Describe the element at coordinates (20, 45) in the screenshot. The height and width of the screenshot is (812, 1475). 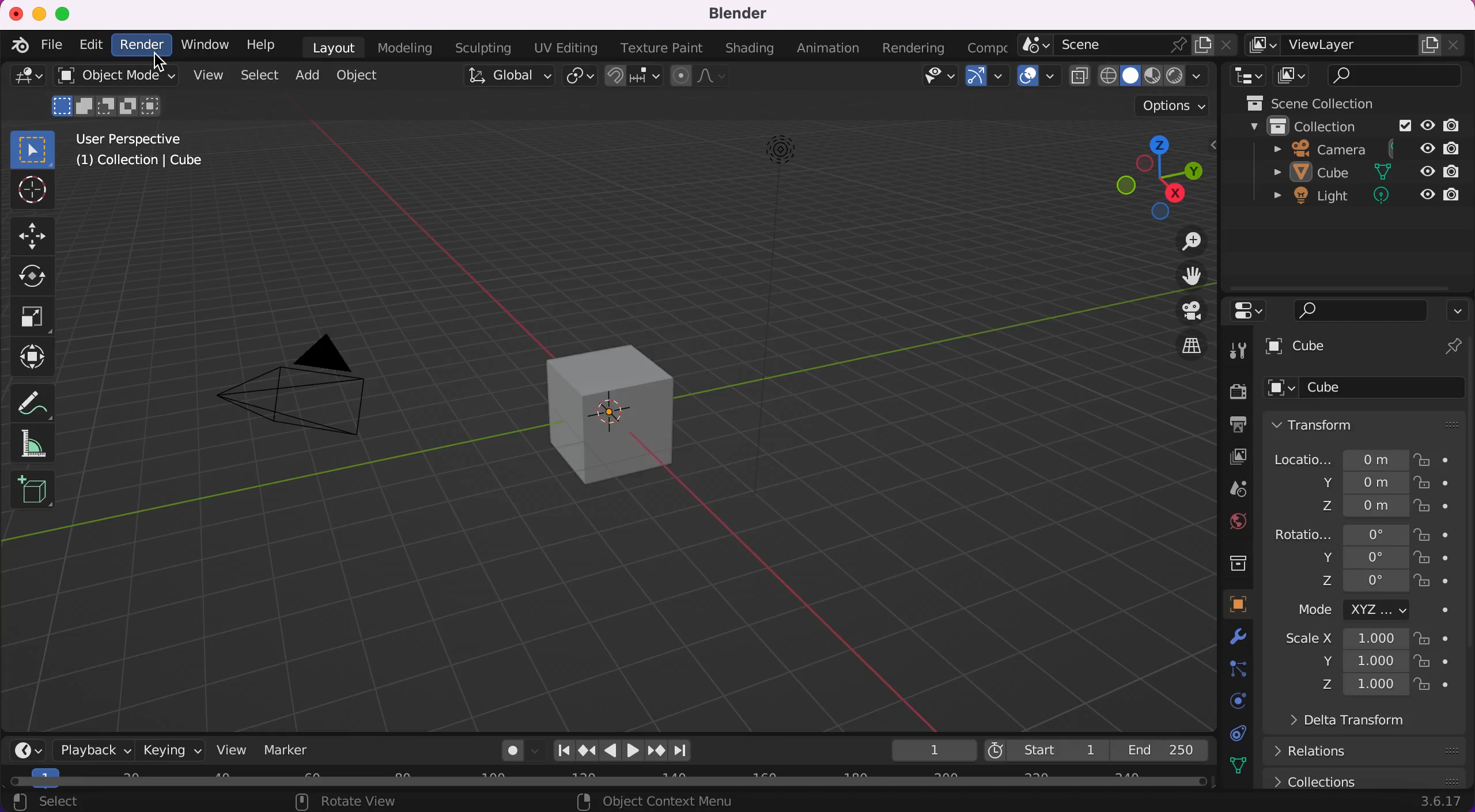
I see `blender logo` at that location.